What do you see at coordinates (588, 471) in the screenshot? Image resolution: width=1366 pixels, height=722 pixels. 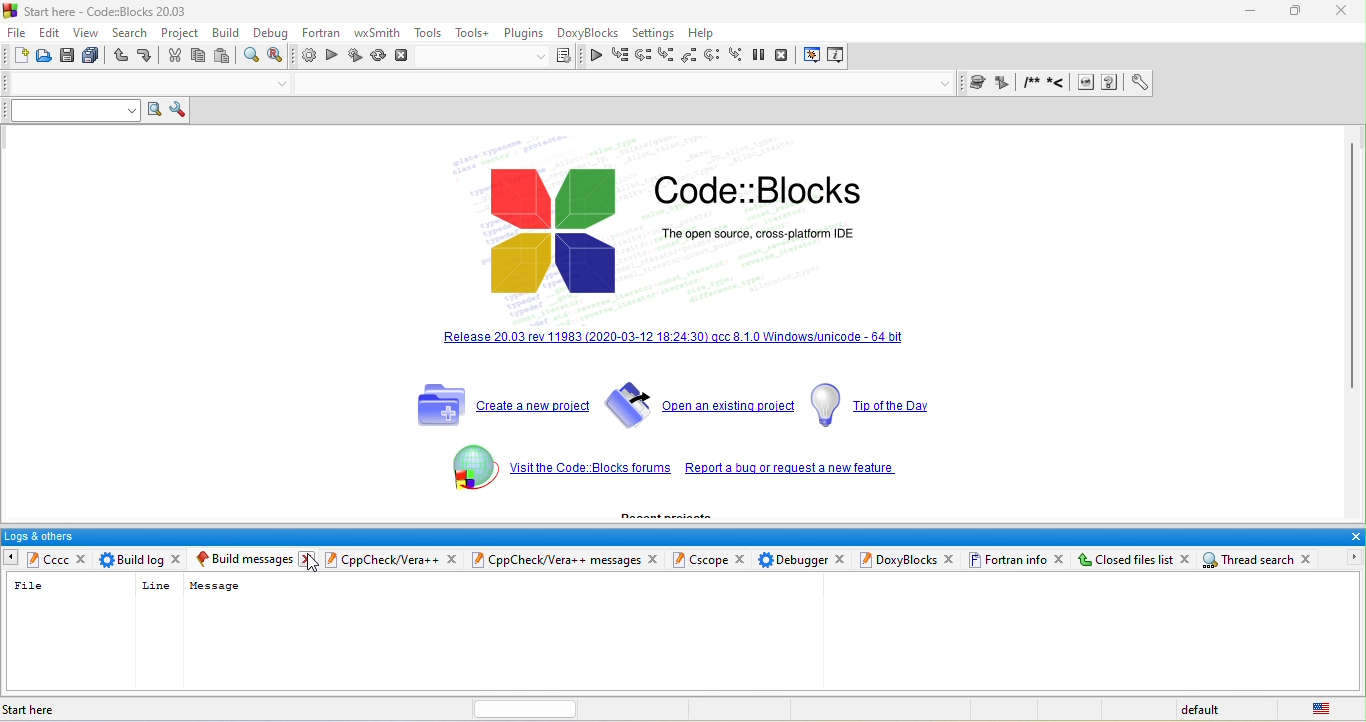 I see `visit the code-blocks forums ` at bounding box center [588, 471].